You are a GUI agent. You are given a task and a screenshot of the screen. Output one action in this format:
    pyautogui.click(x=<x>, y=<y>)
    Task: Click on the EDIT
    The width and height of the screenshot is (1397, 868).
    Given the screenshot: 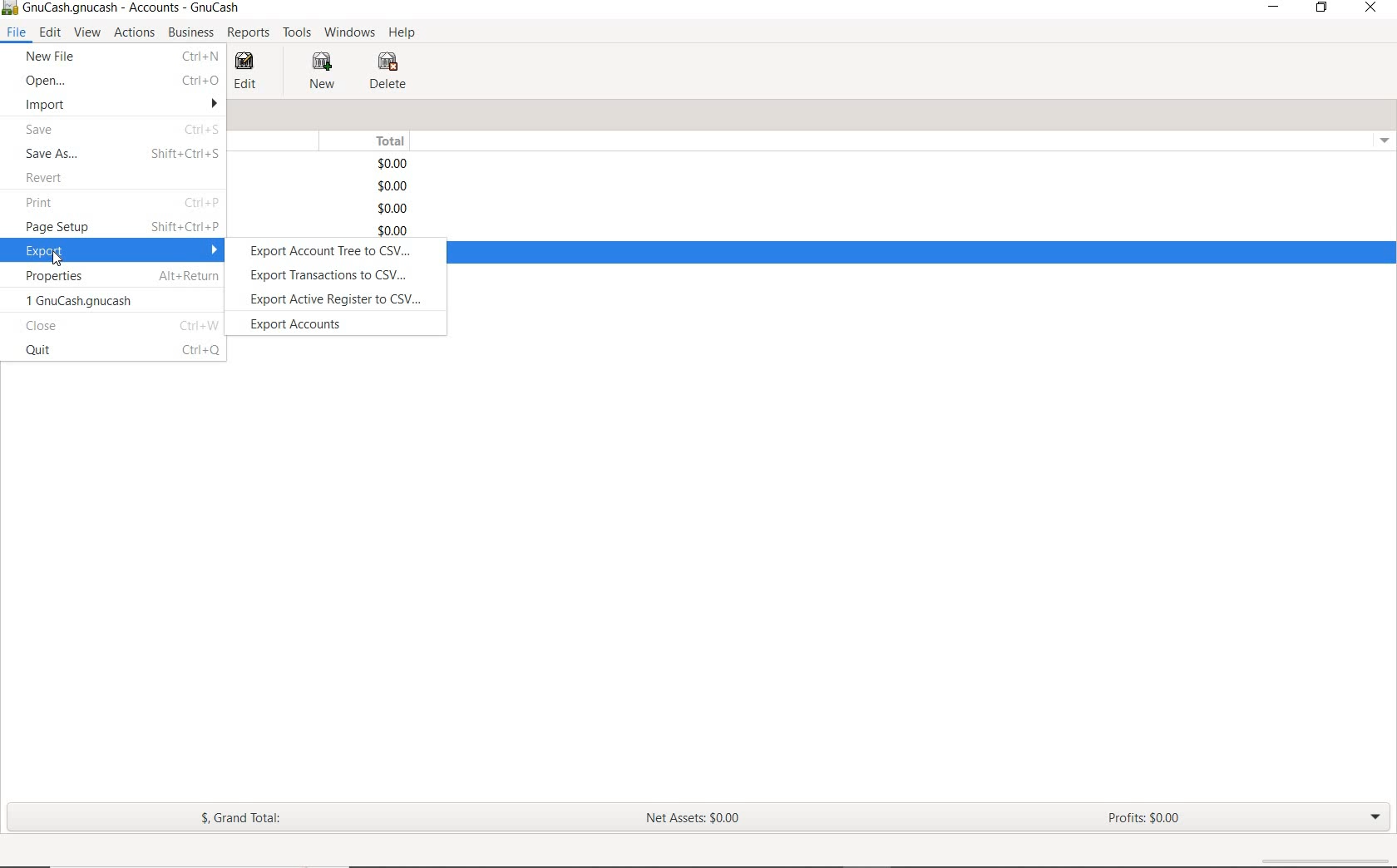 What is the action you would take?
    pyautogui.click(x=250, y=72)
    